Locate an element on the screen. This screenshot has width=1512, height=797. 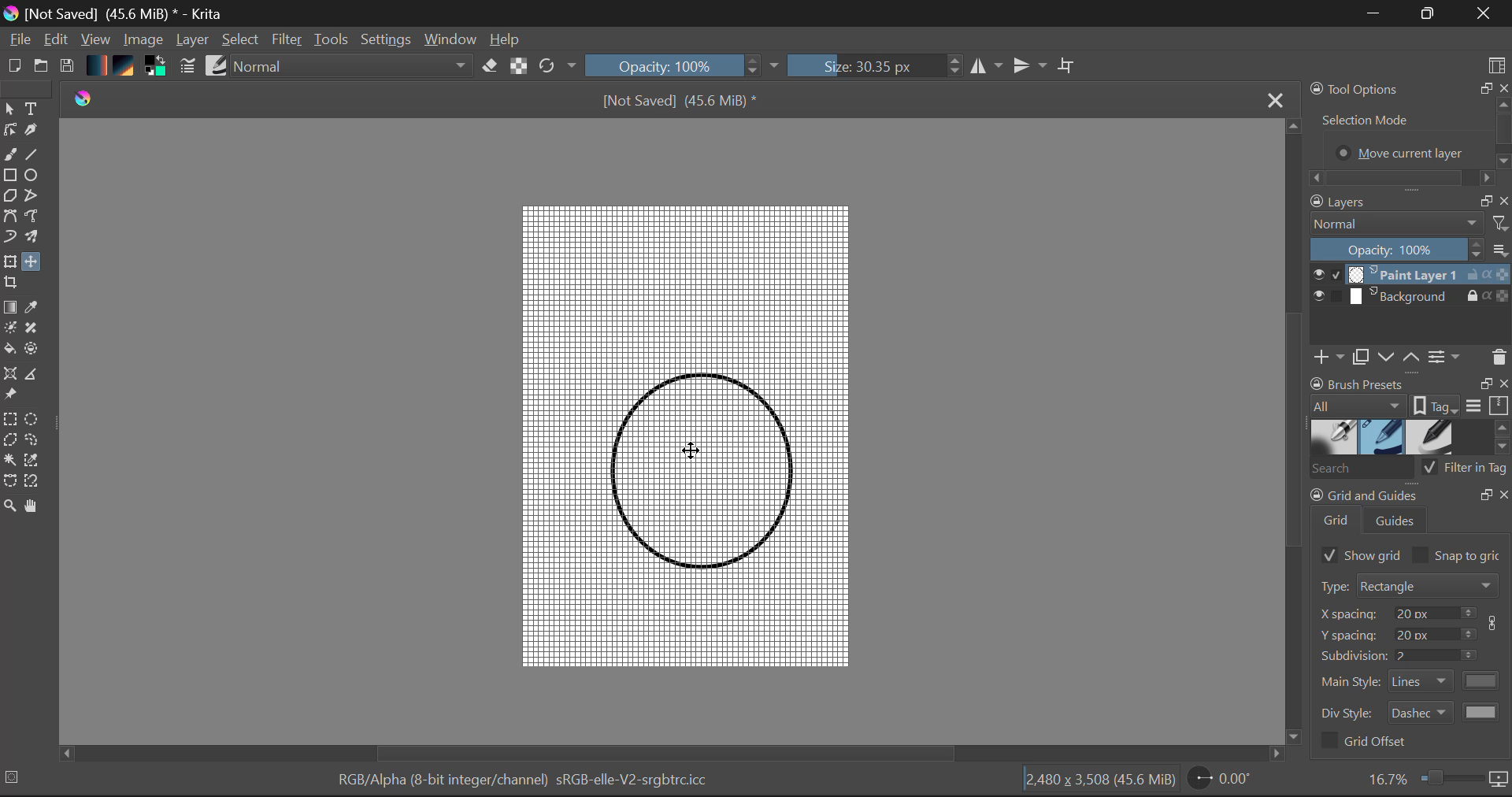
Transform Layer is located at coordinates (9, 262).